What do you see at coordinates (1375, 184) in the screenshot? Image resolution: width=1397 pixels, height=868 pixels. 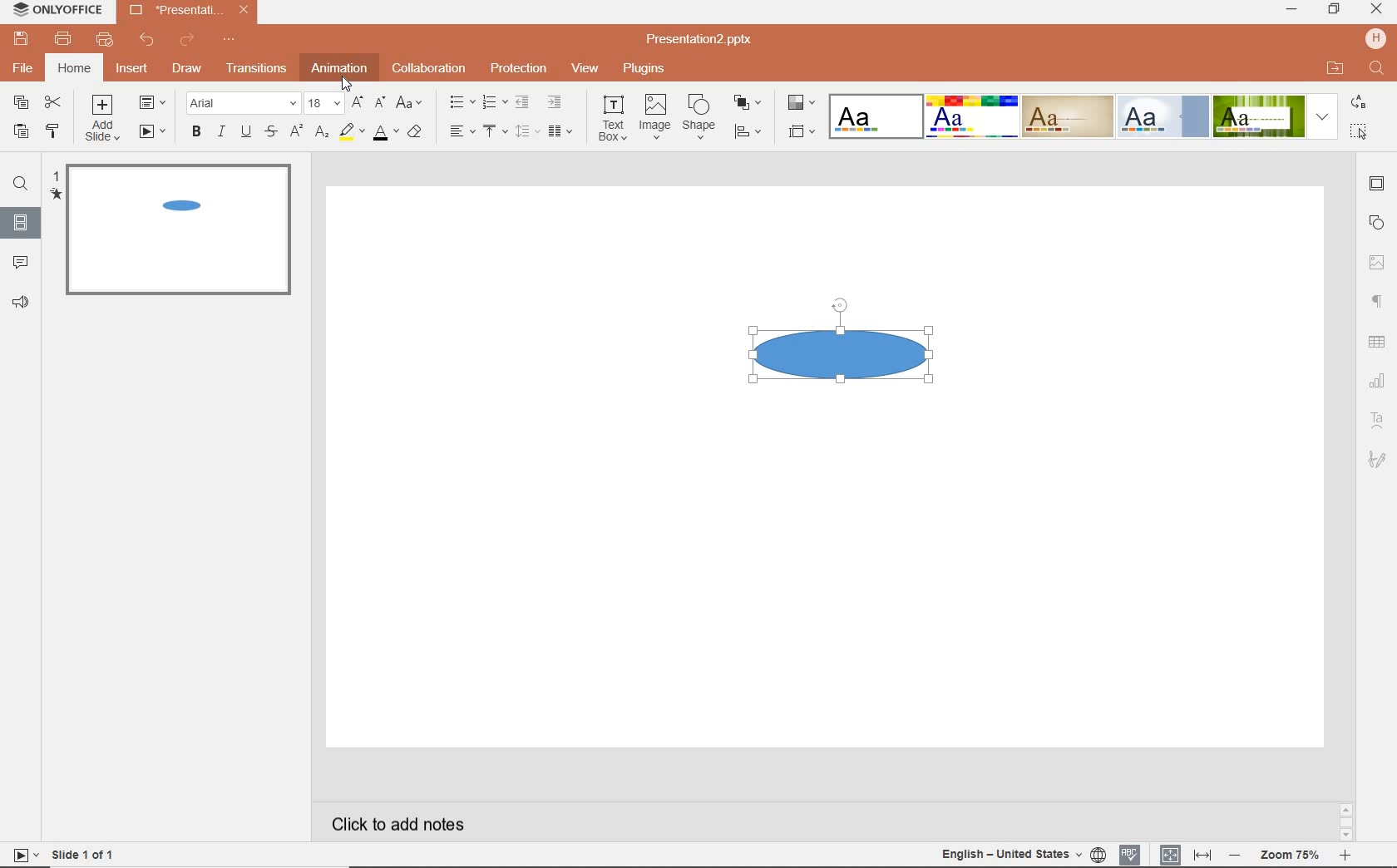 I see `slide settings` at bounding box center [1375, 184].